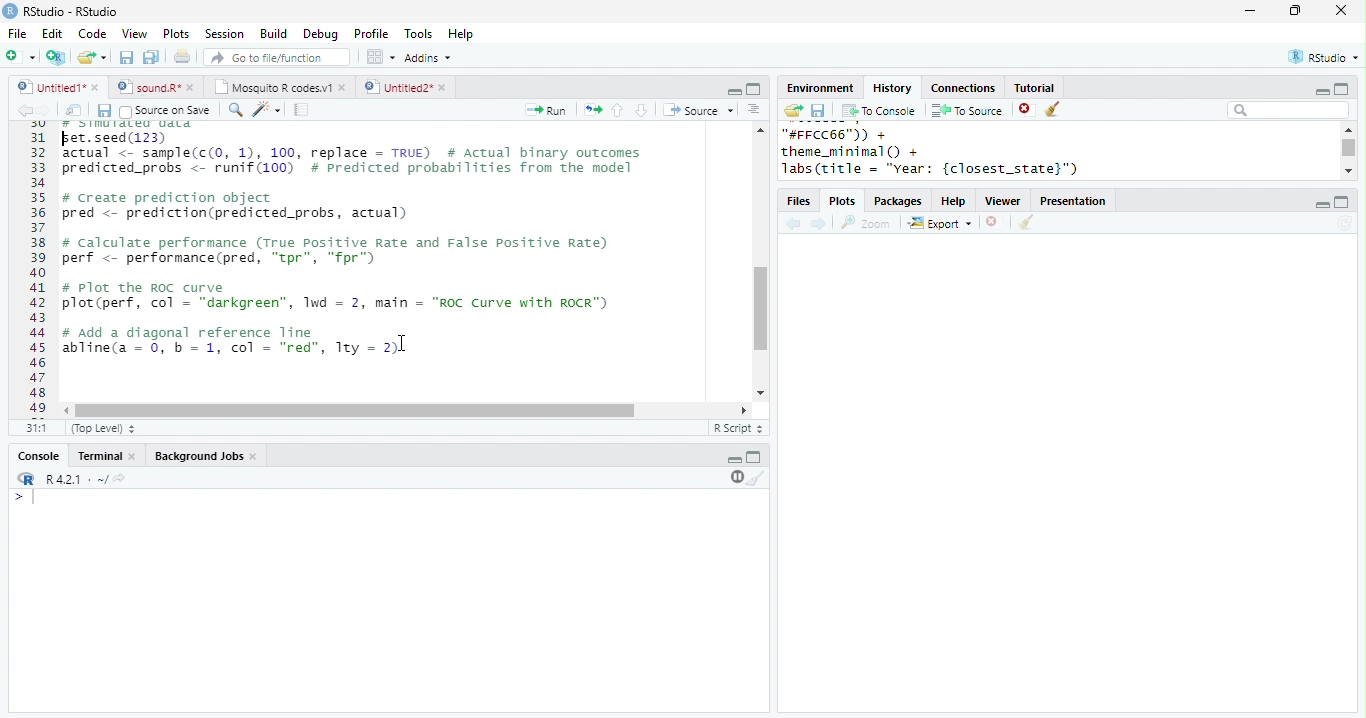  What do you see at coordinates (57, 57) in the screenshot?
I see `new project` at bounding box center [57, 57].